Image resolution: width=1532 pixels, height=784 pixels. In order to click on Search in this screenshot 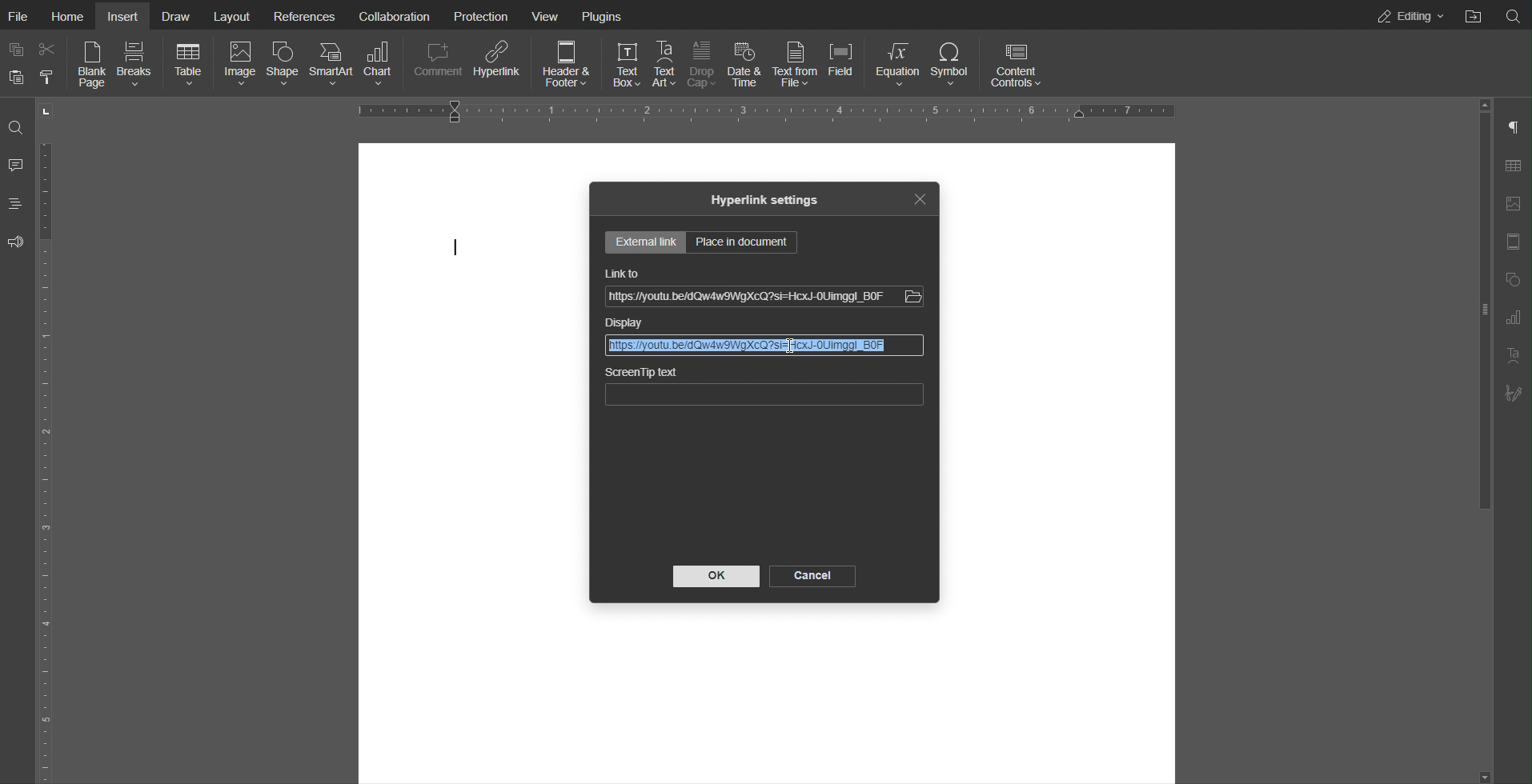, I will do `click(16, 126)`.